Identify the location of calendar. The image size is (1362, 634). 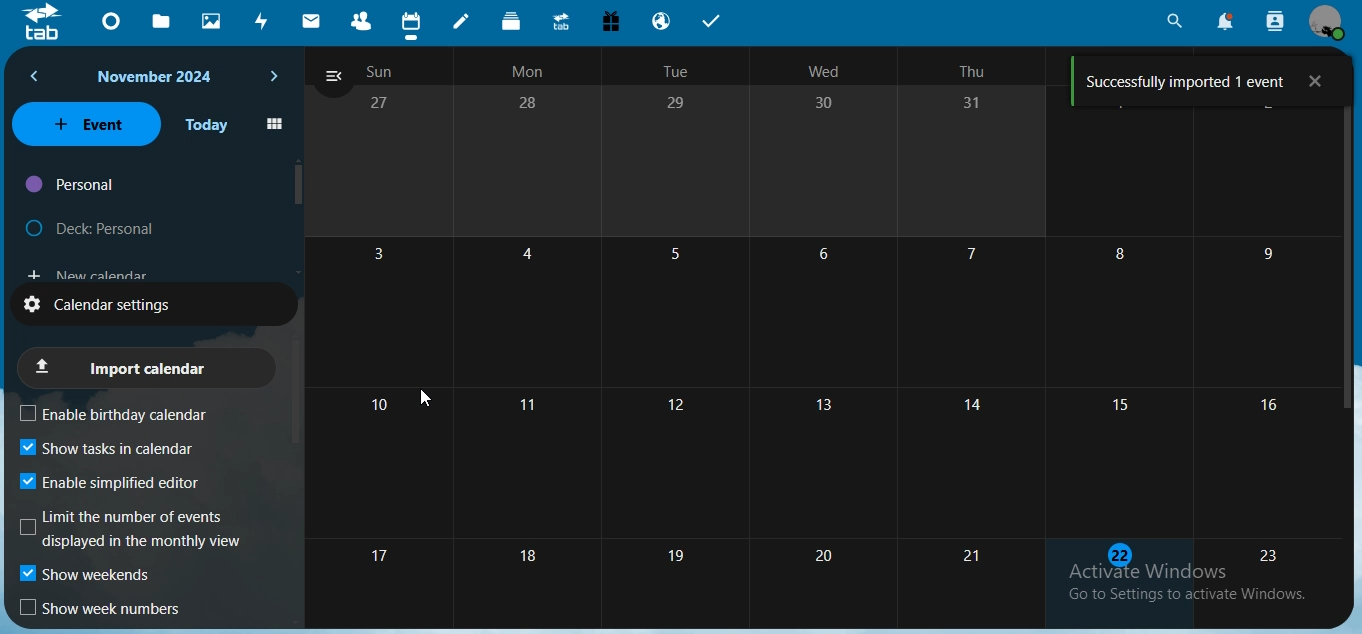
(840, 364).